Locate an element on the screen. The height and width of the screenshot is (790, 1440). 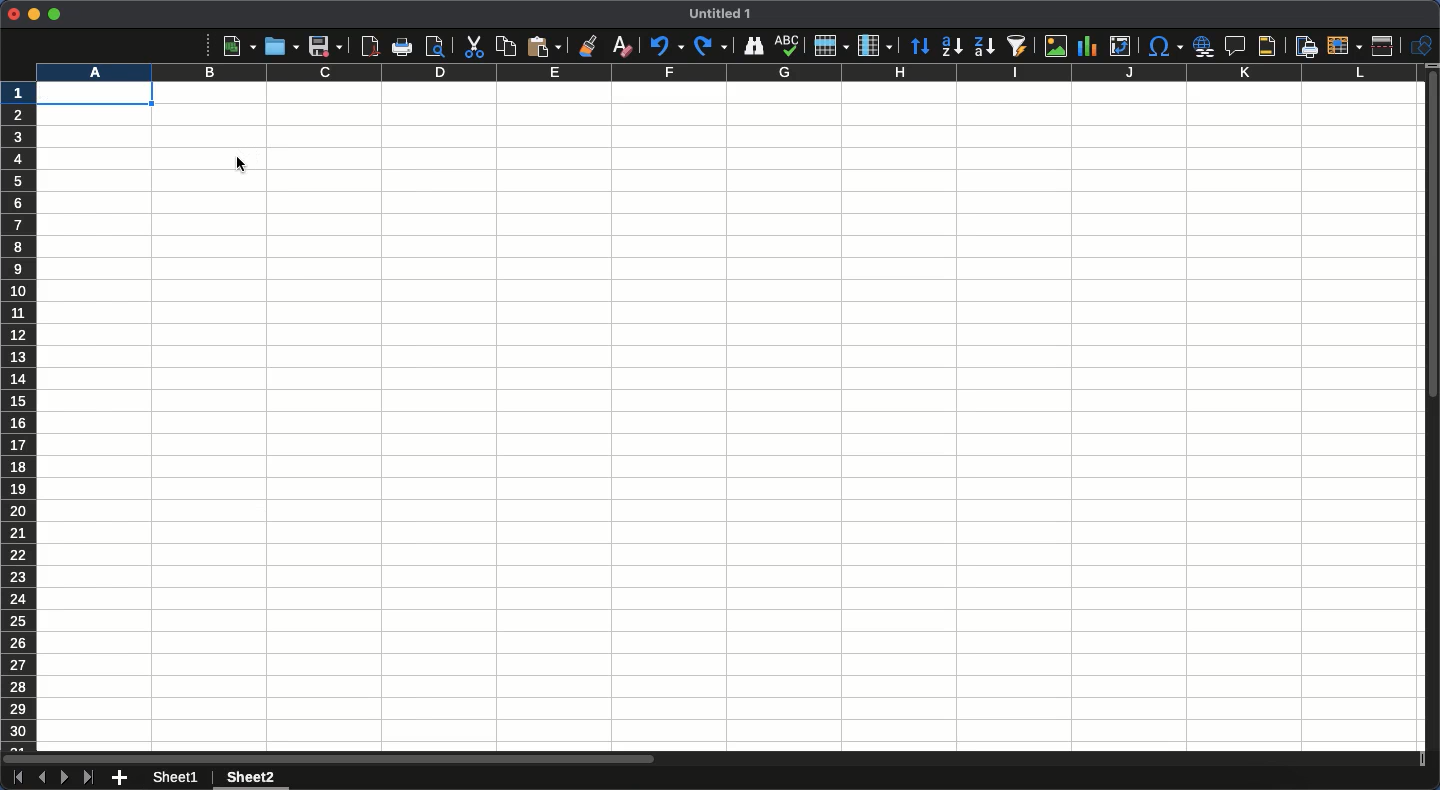
Next sheet is located at coordinates (65, 778).